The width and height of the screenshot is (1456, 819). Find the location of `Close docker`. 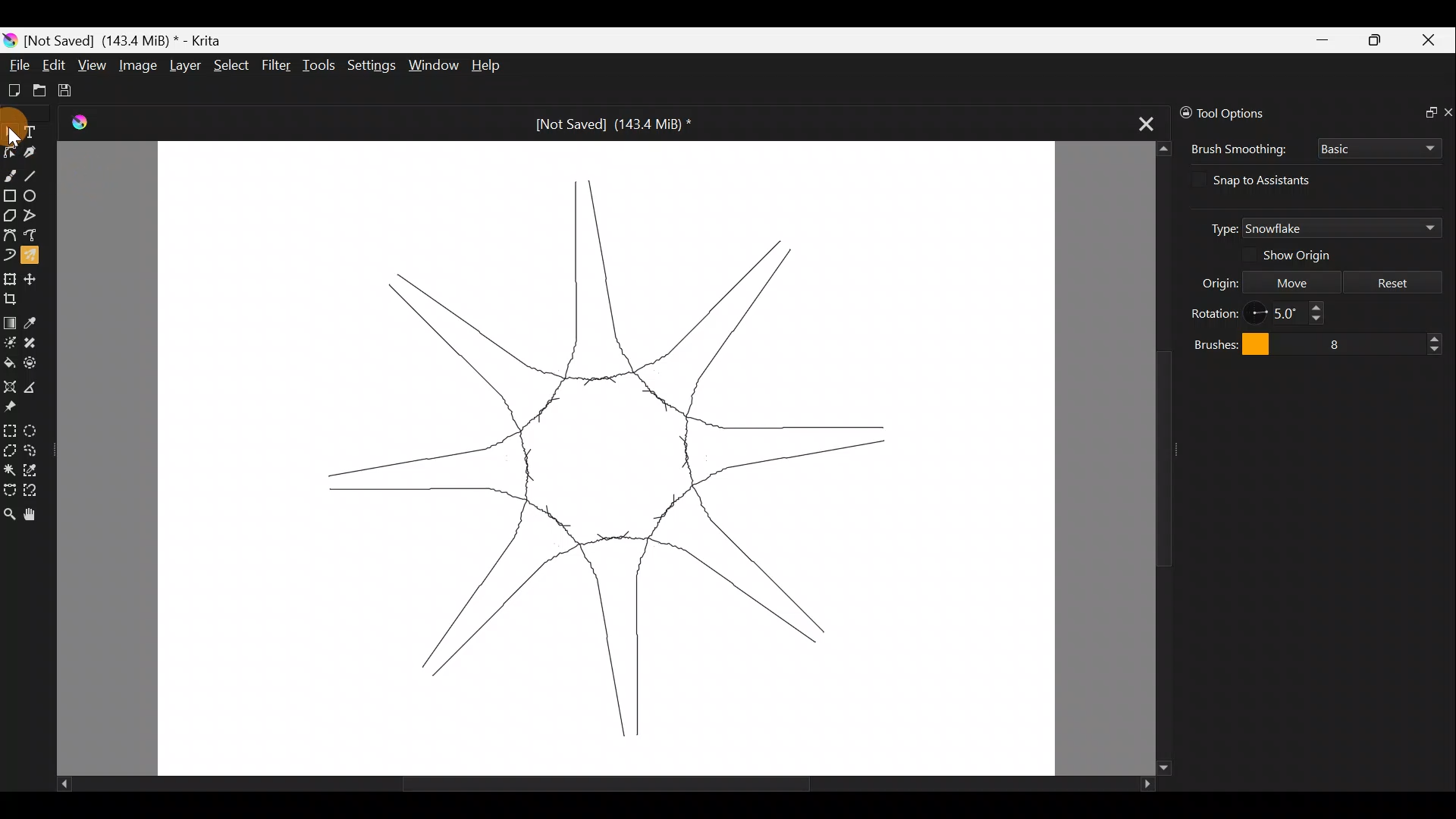

Close docker is located at coordinates (1447, 109).